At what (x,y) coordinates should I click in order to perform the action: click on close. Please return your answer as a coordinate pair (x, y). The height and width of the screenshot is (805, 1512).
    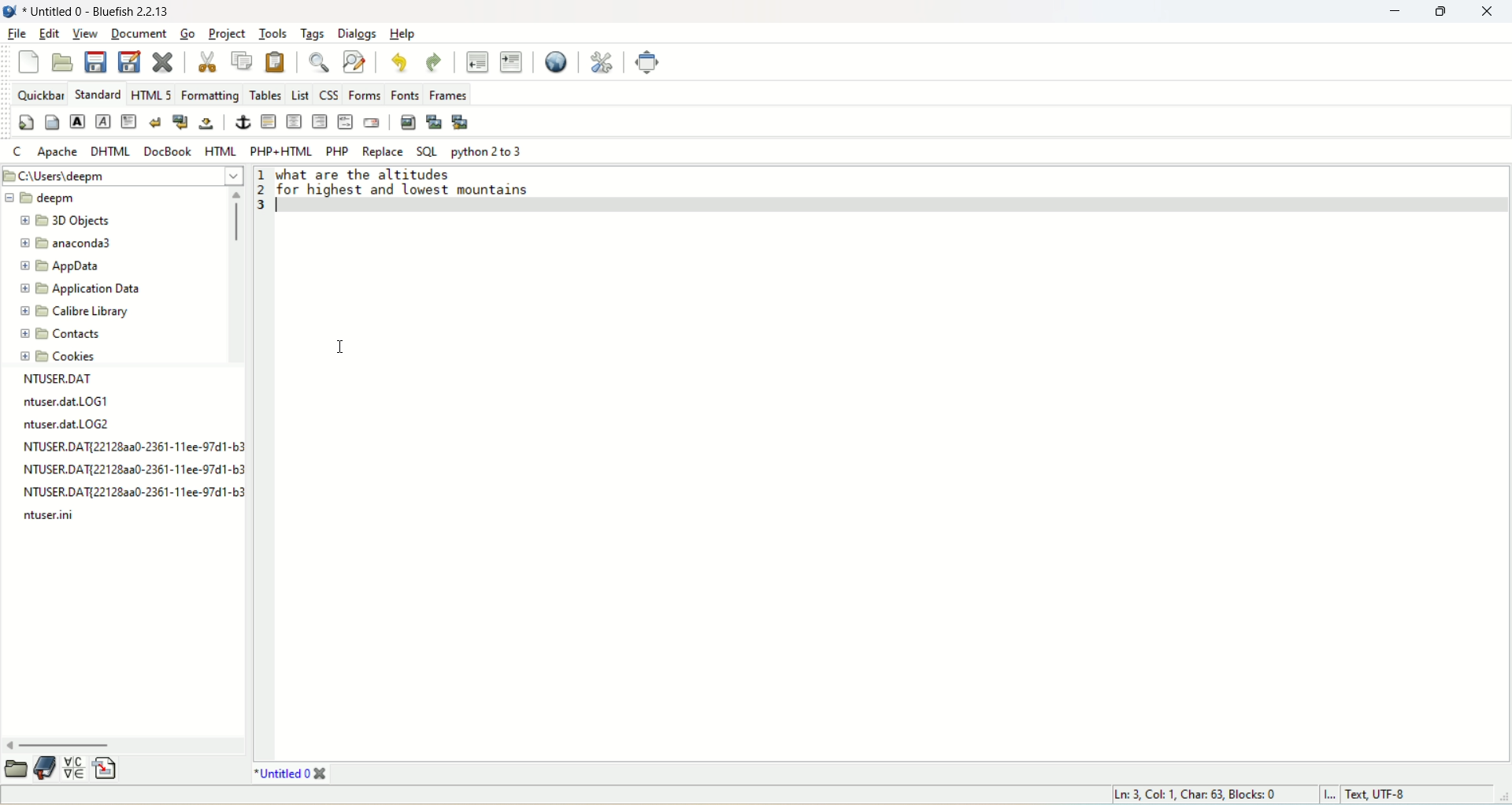
    Looking at the image, I should click on (1489, 13).